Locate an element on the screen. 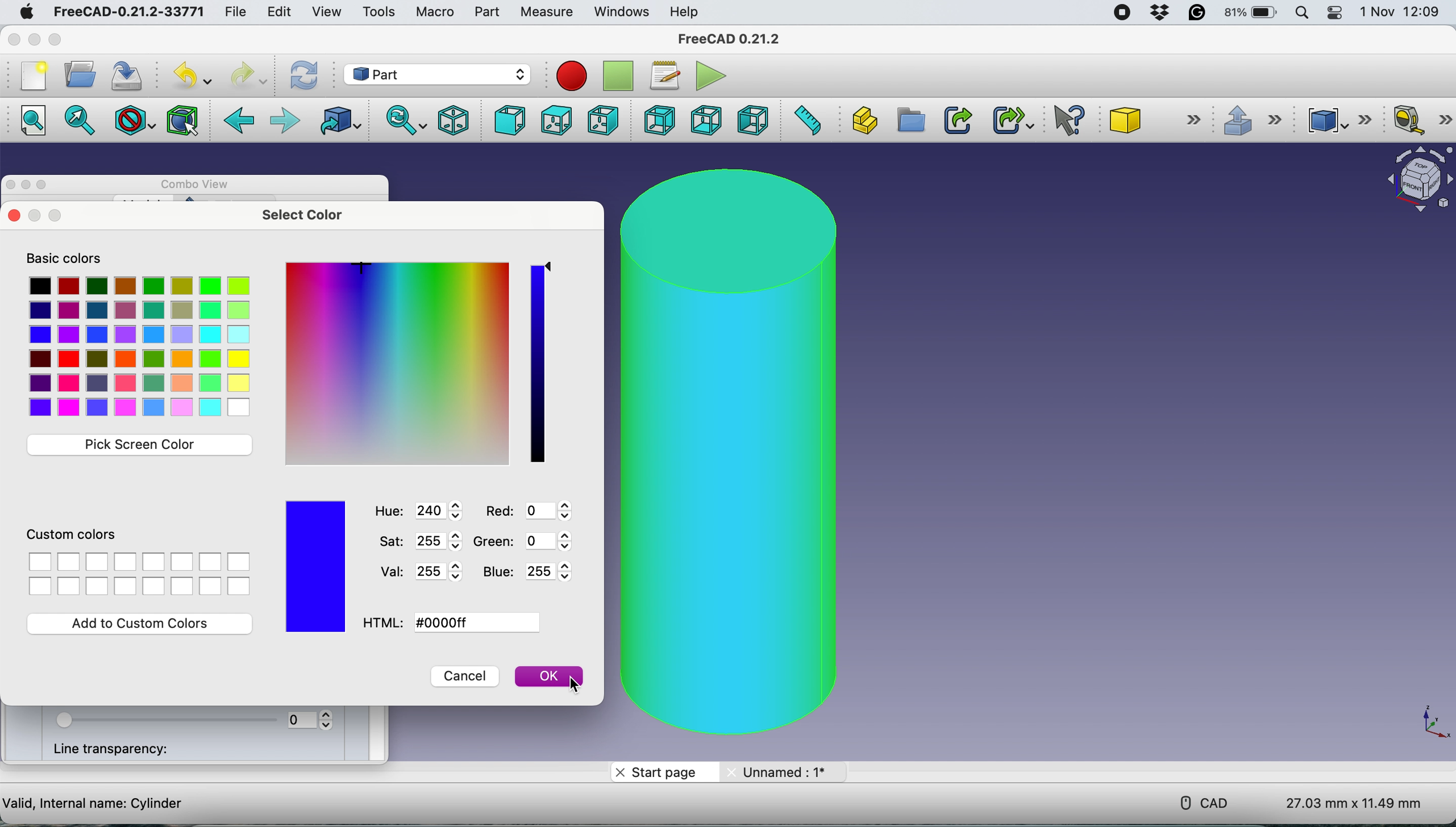 This screenshot has width=1456, height=827. select color is located at coordinates (310, 216).